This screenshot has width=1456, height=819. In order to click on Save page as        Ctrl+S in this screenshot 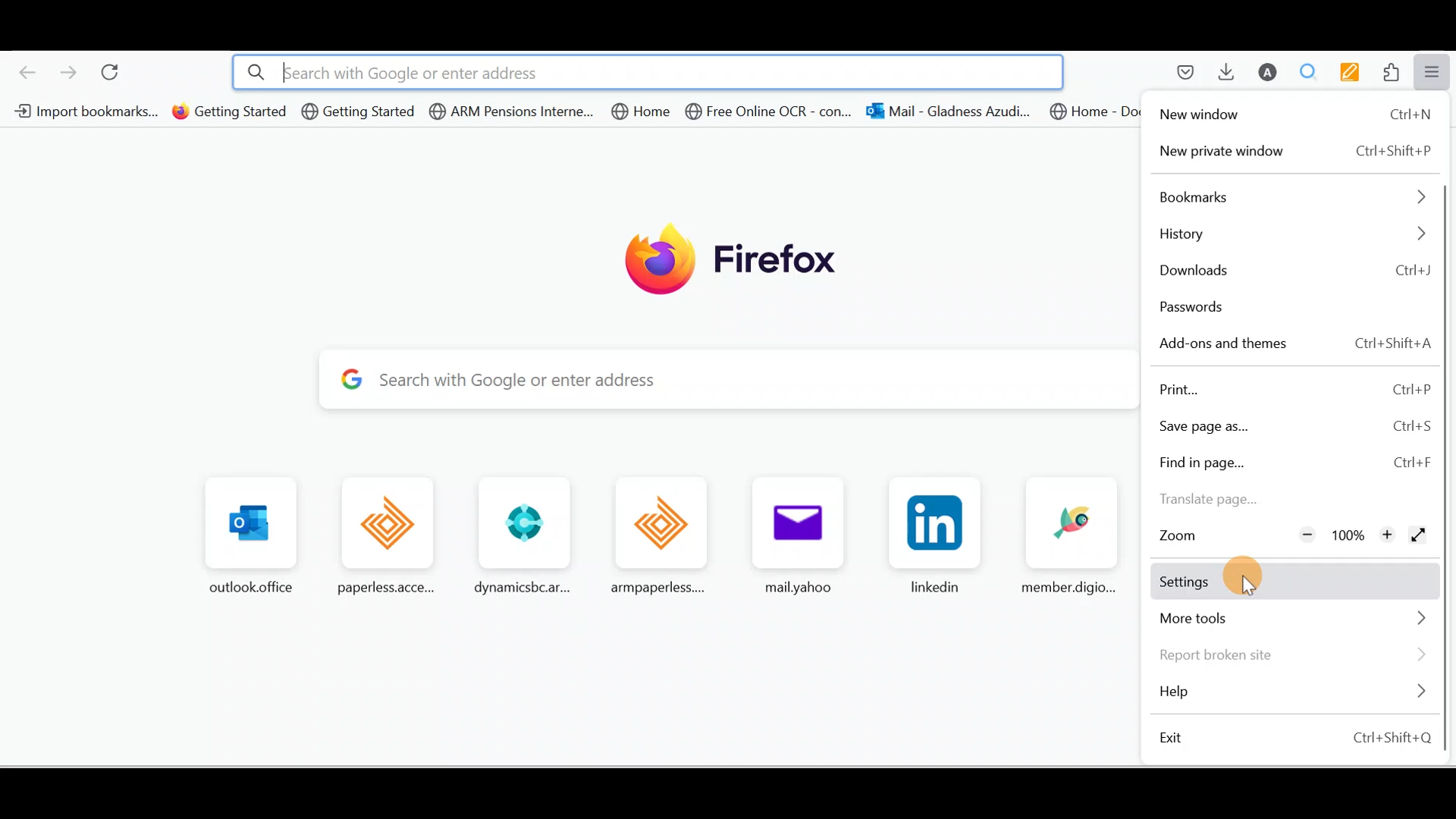, I will do `click(1291, 424)`.